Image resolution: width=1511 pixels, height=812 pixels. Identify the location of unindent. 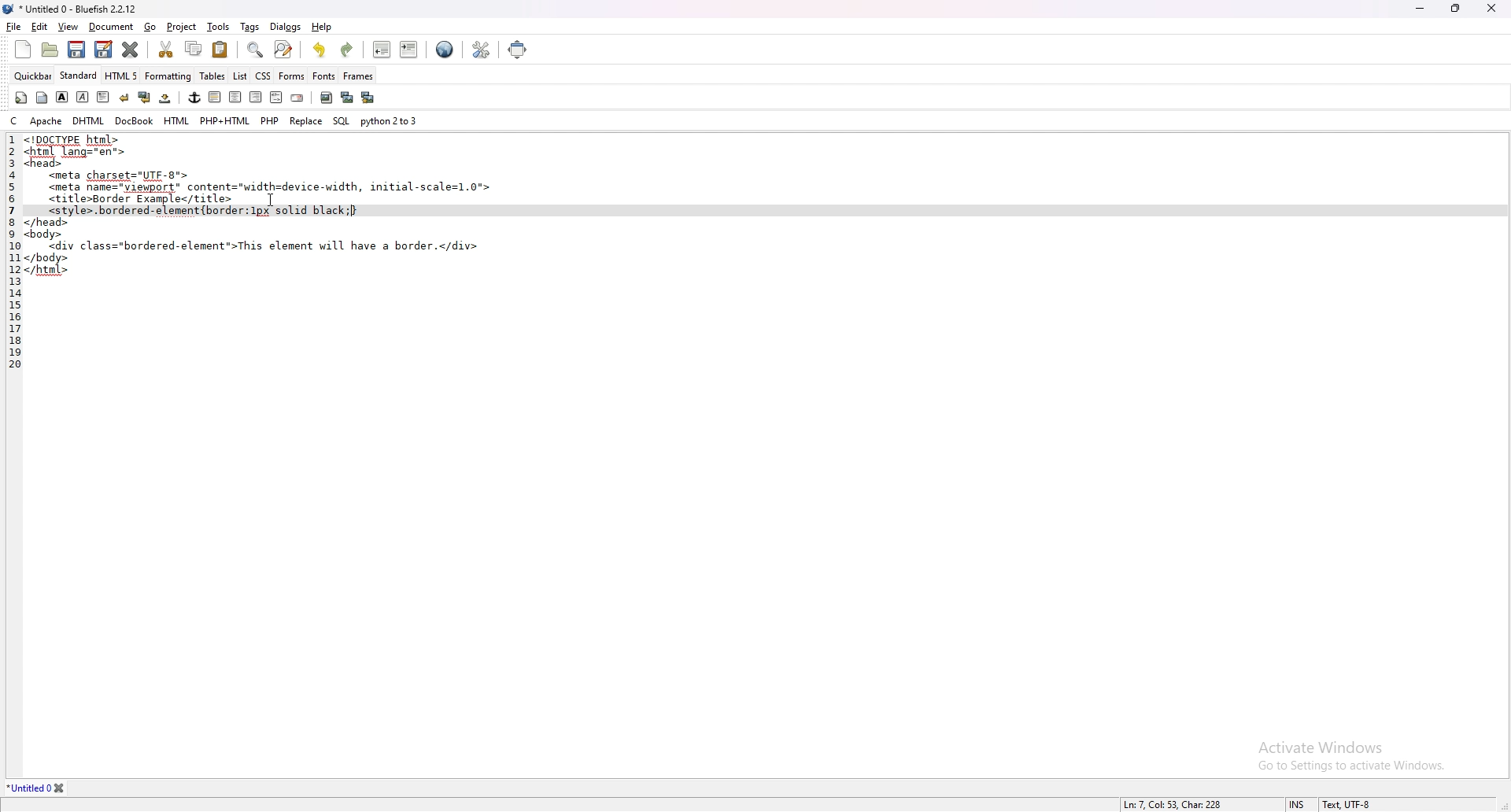
(381, 49).